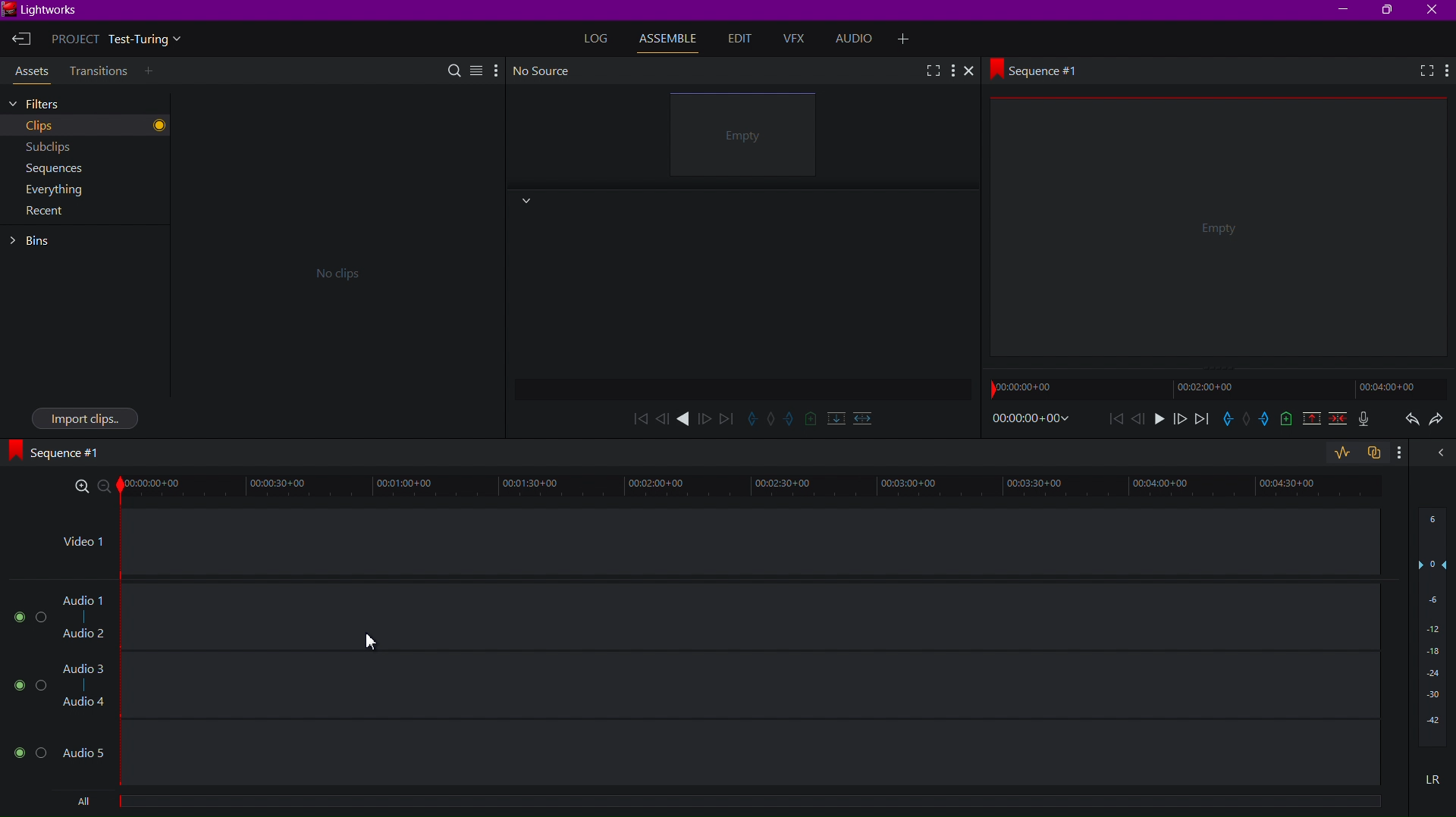  What do you see at coordinates (752, 651) in the screenshot?
I see `Audio Track 1` at bounding box center [752, 651].